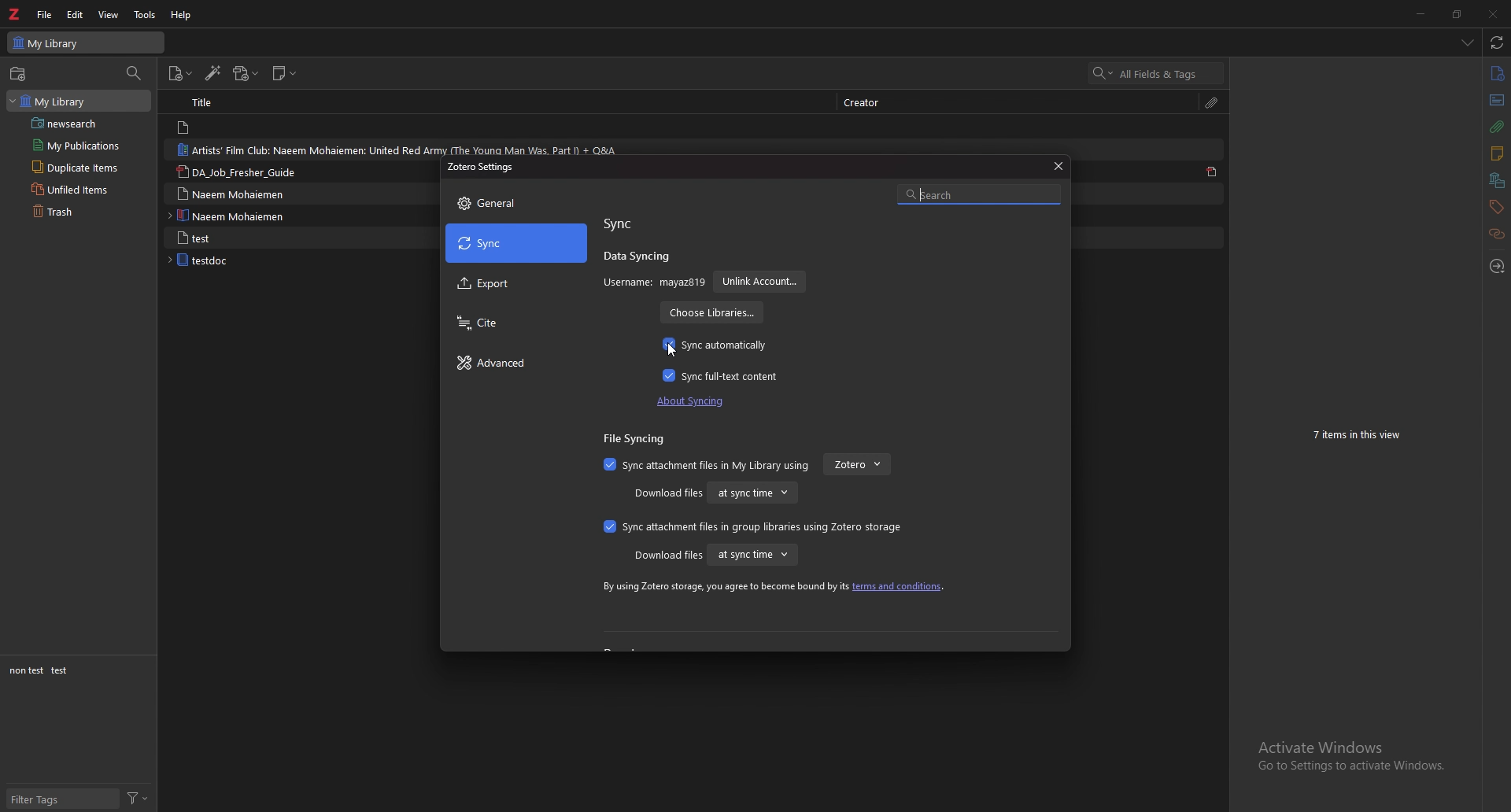  I want to click on filter collections, so click(135, 73).